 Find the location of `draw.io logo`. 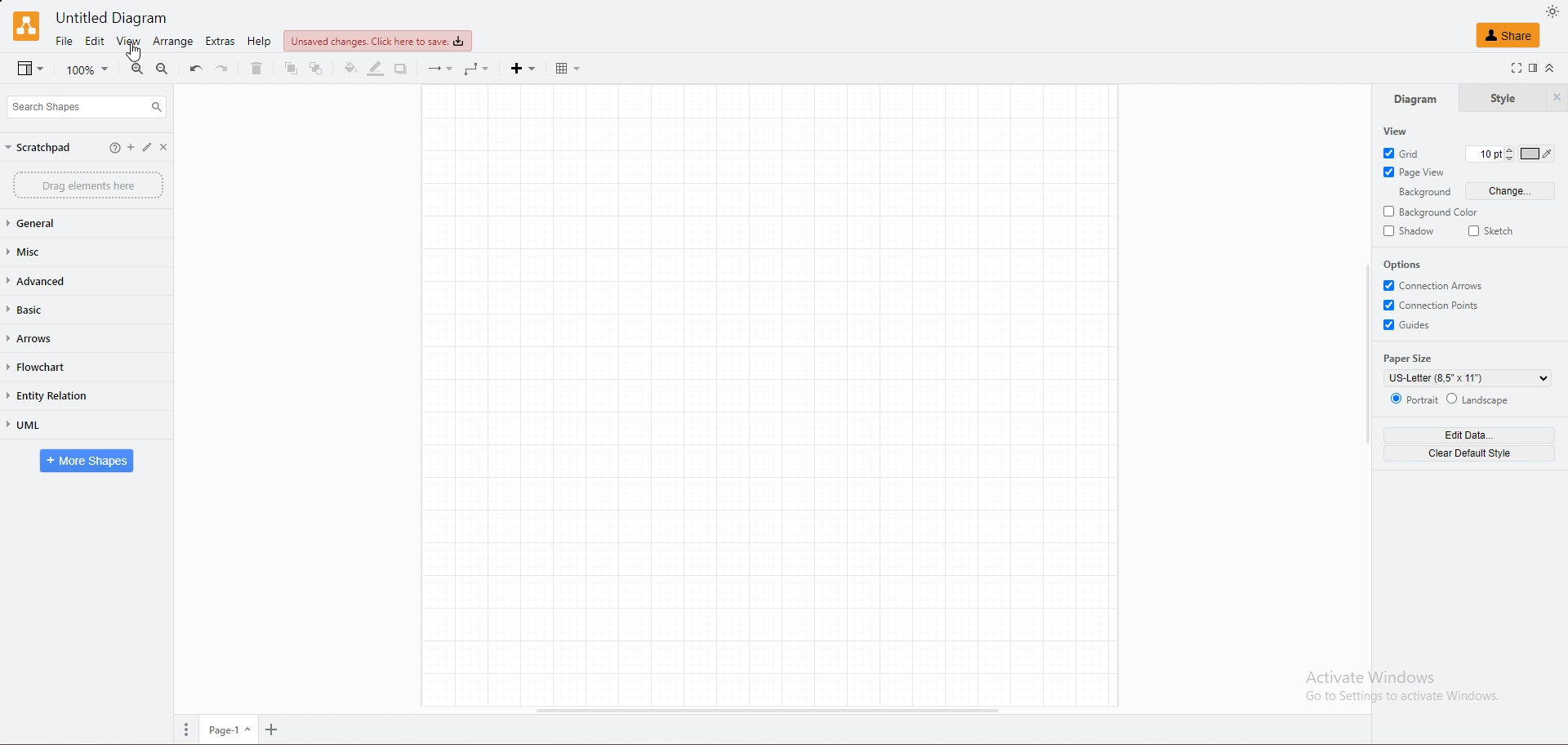

draw.io logo is located at coordinates (27, 25).